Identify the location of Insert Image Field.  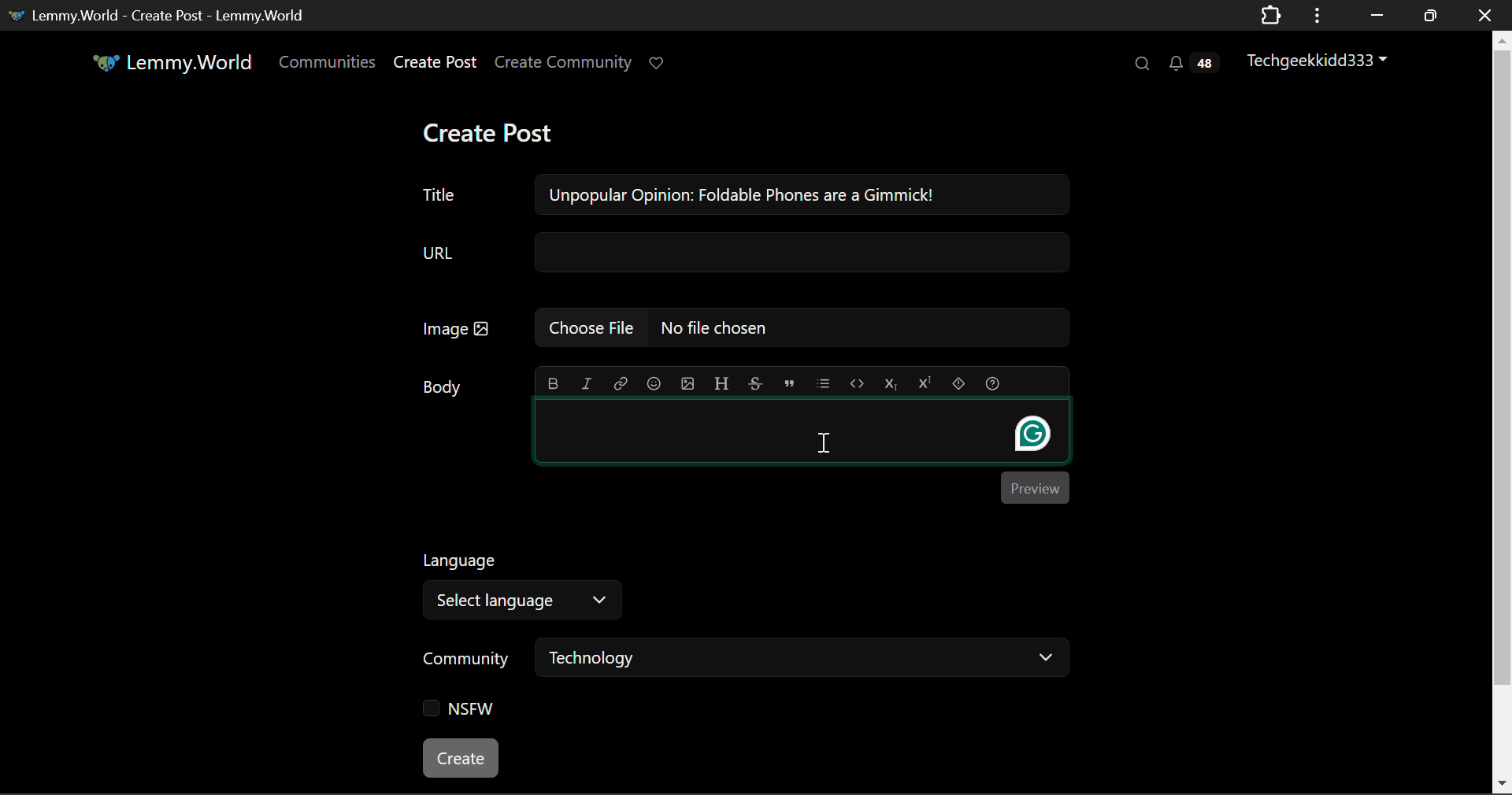
(745, 327).